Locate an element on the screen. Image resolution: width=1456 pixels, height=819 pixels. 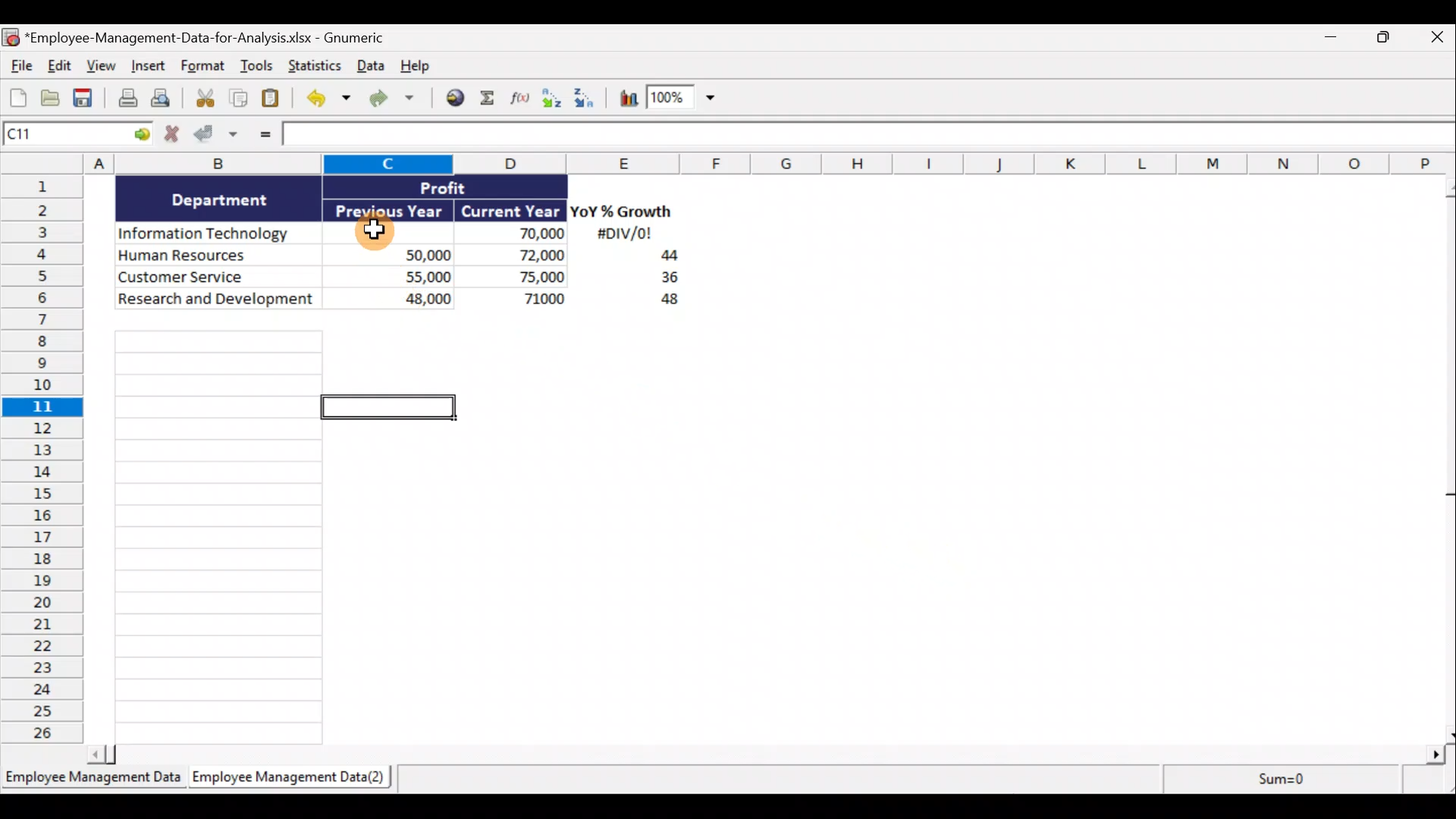
File is located at coordinates (18, 67).